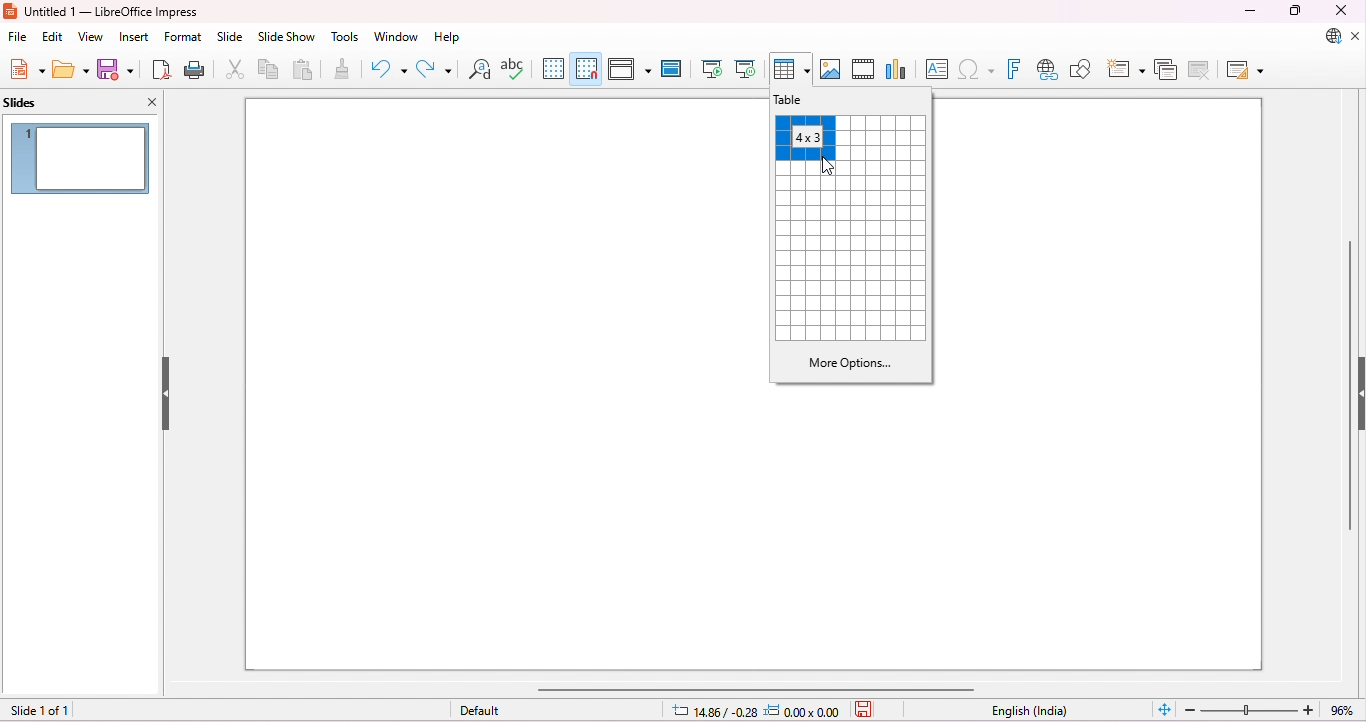  Describe the element at coordinates (397, 37) in the screenshot. I see `window` at that location.